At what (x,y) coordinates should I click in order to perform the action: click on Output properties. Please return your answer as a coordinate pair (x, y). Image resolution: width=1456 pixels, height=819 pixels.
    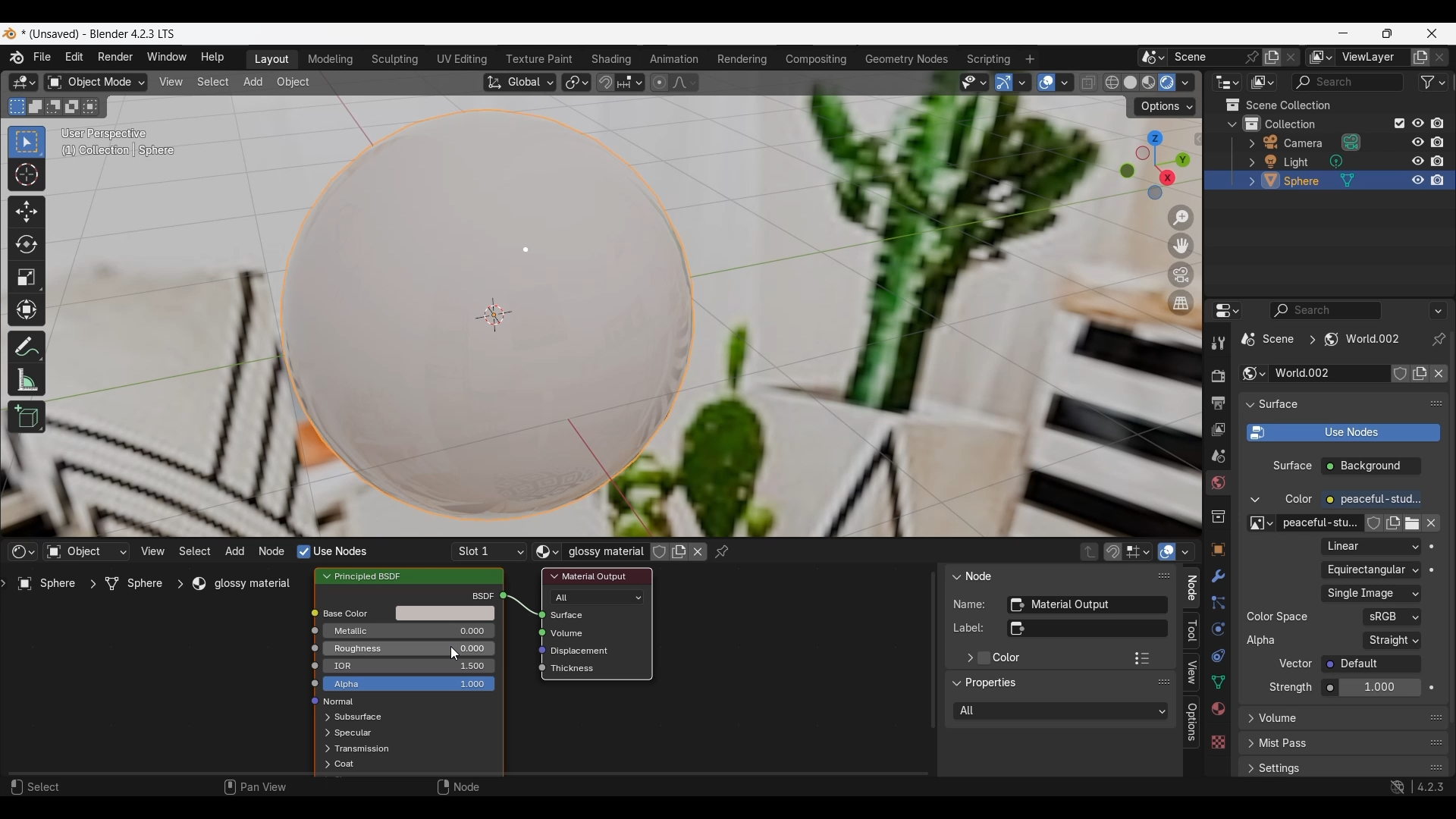
    Looking at the image, I should click on (1216, 403).